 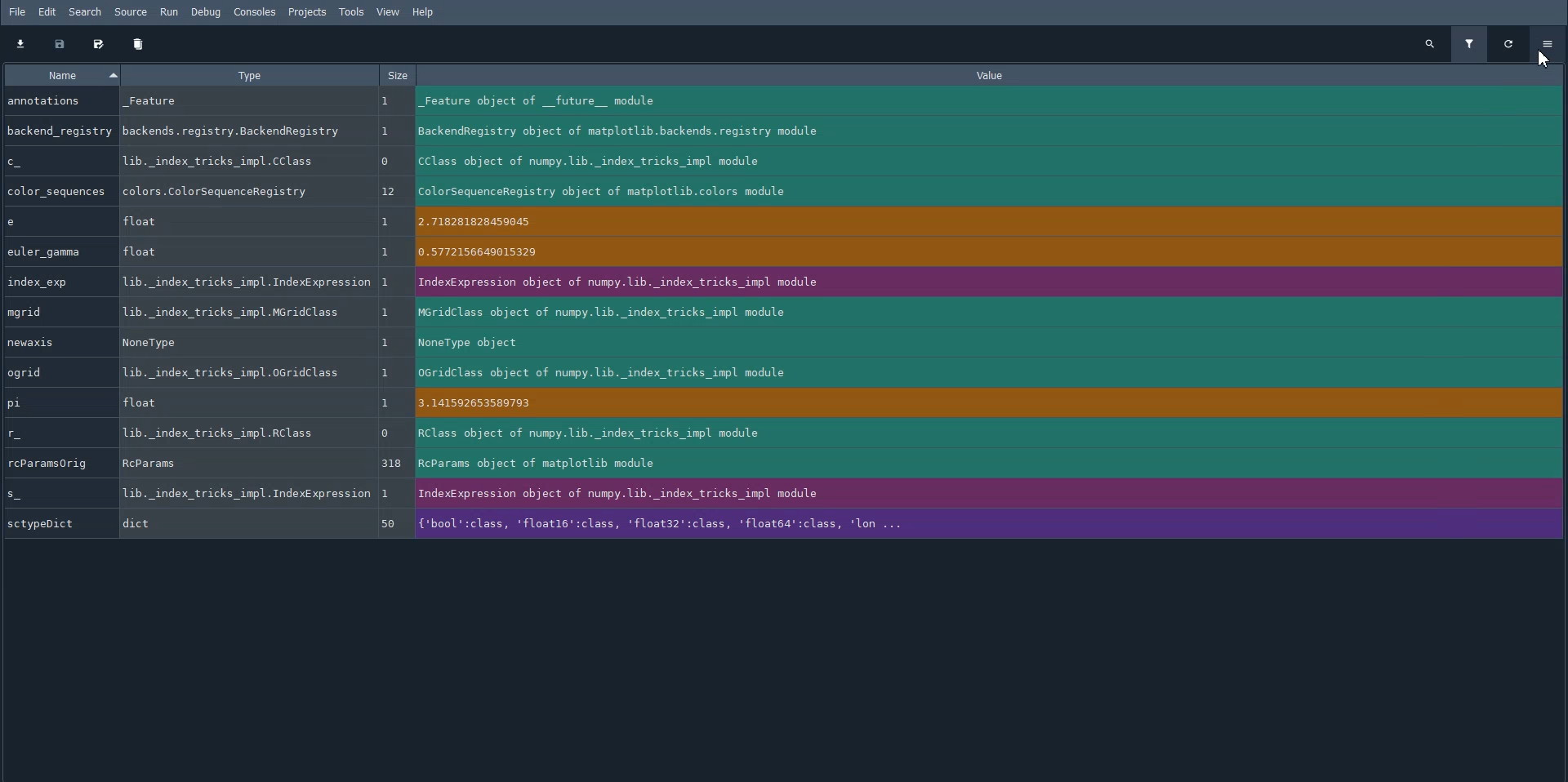 I want to click on 0, so click(x=389, y=433).